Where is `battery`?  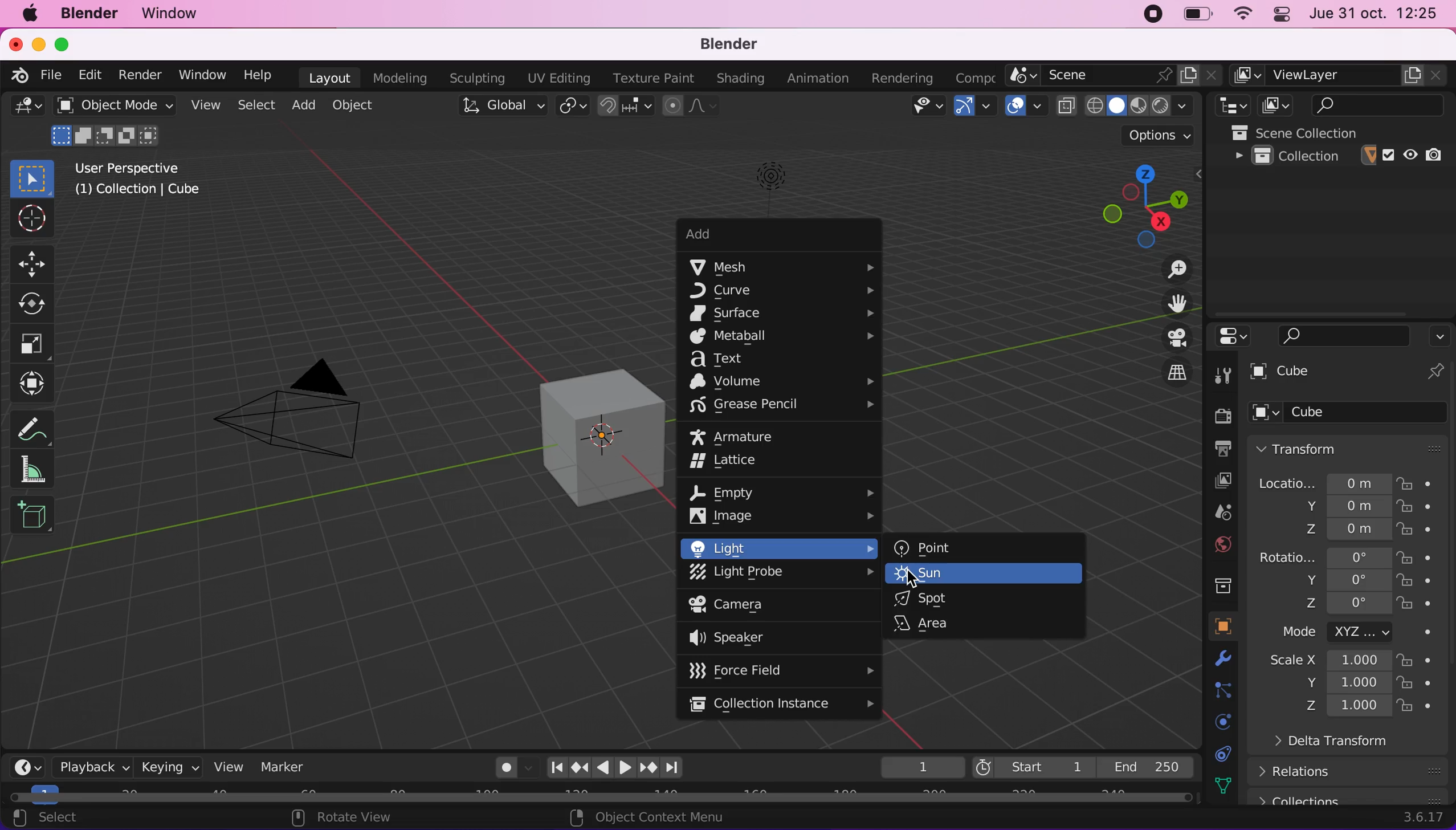 battery is located at coordinates (1194, 15).